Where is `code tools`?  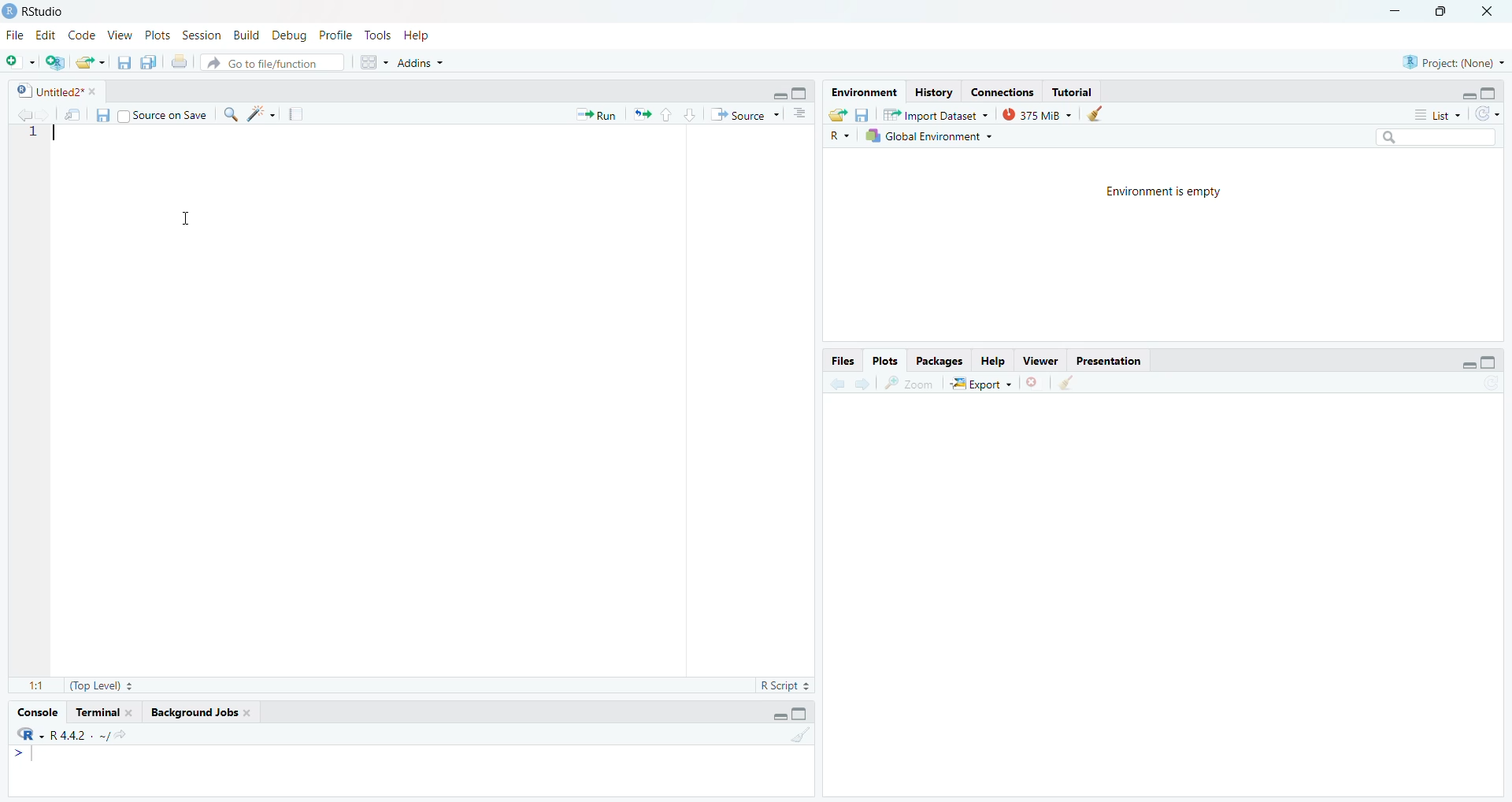 code tools is located at coordinates (262, 113).